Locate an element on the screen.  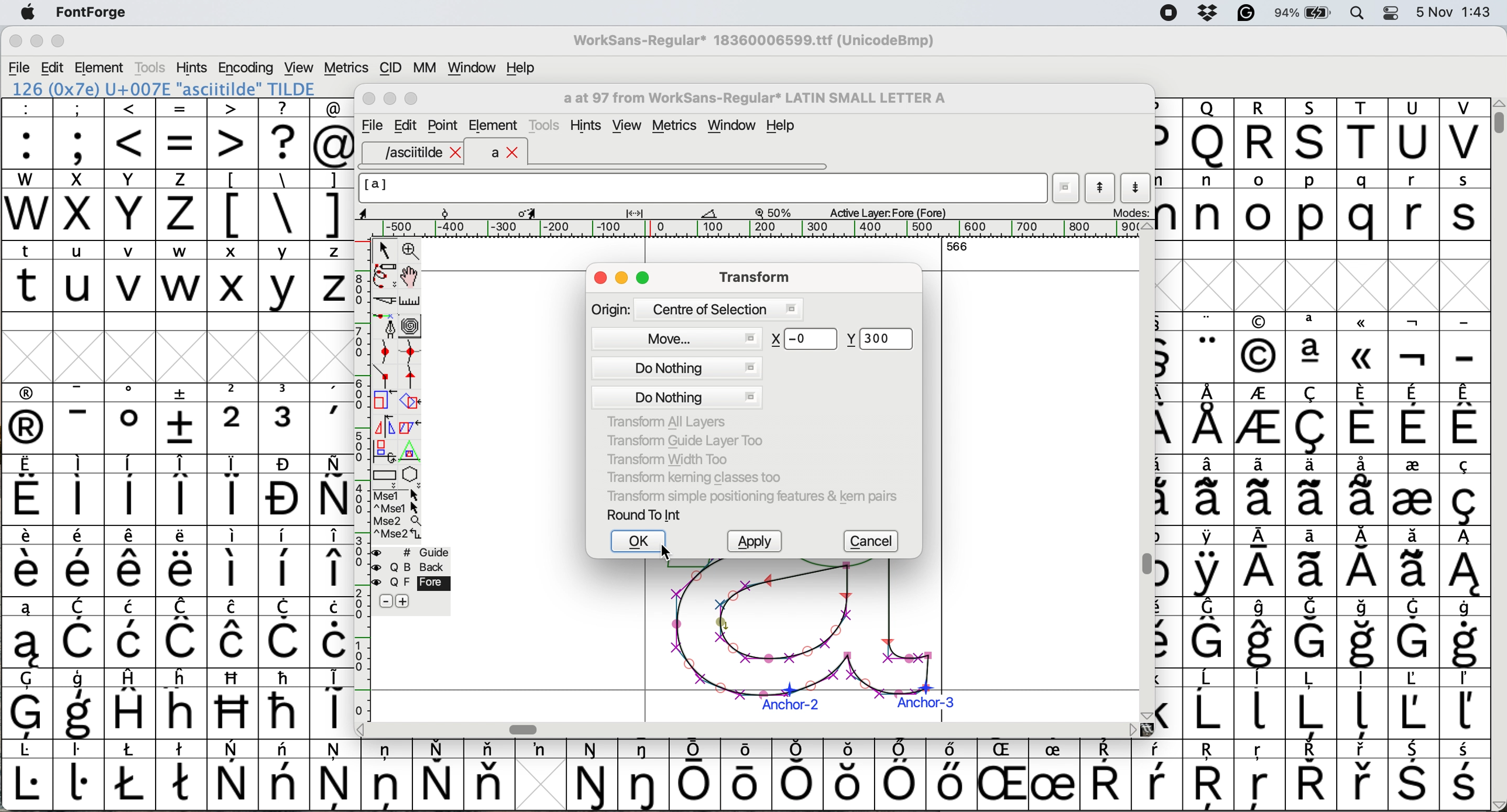
symbol is located at coordinates (25, 633).